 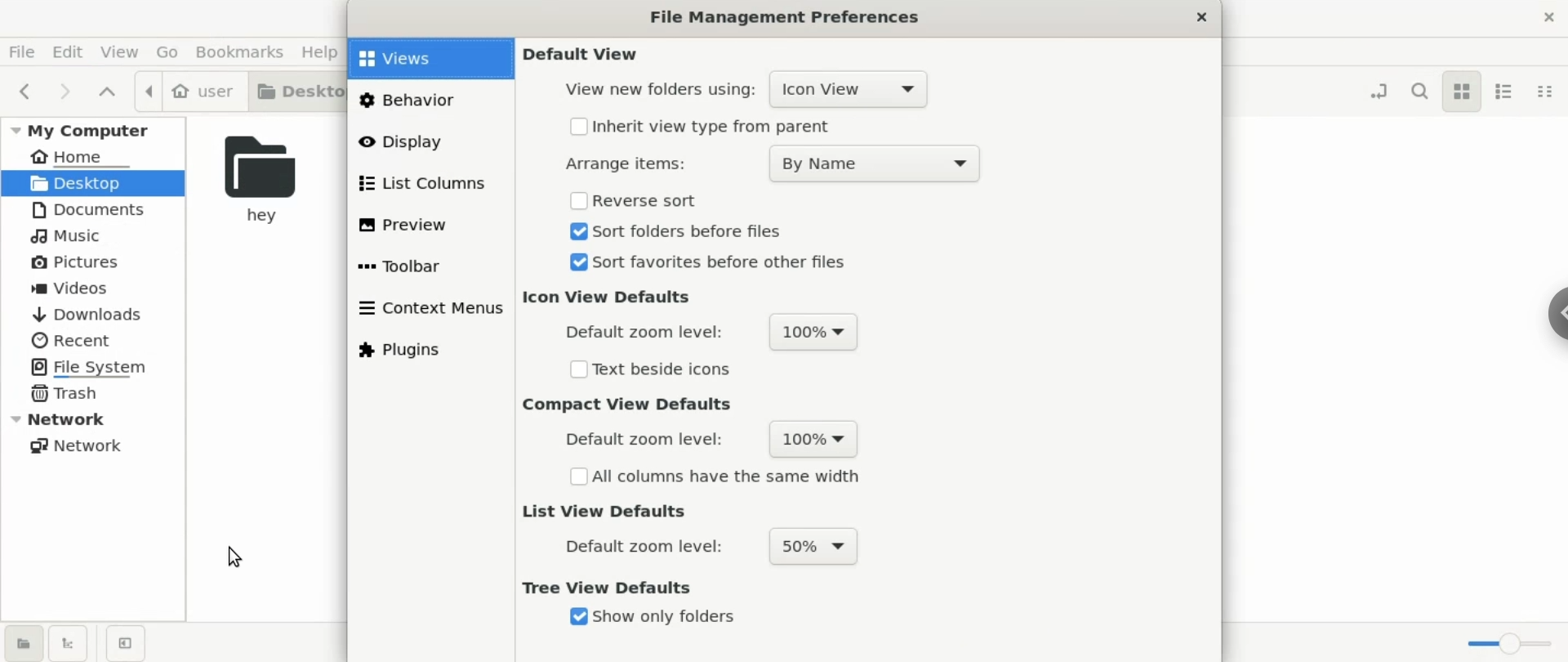 What do you see at coordinates (817, 333) in the screenshot?
I see `100%` at bounding box center [817, 333].